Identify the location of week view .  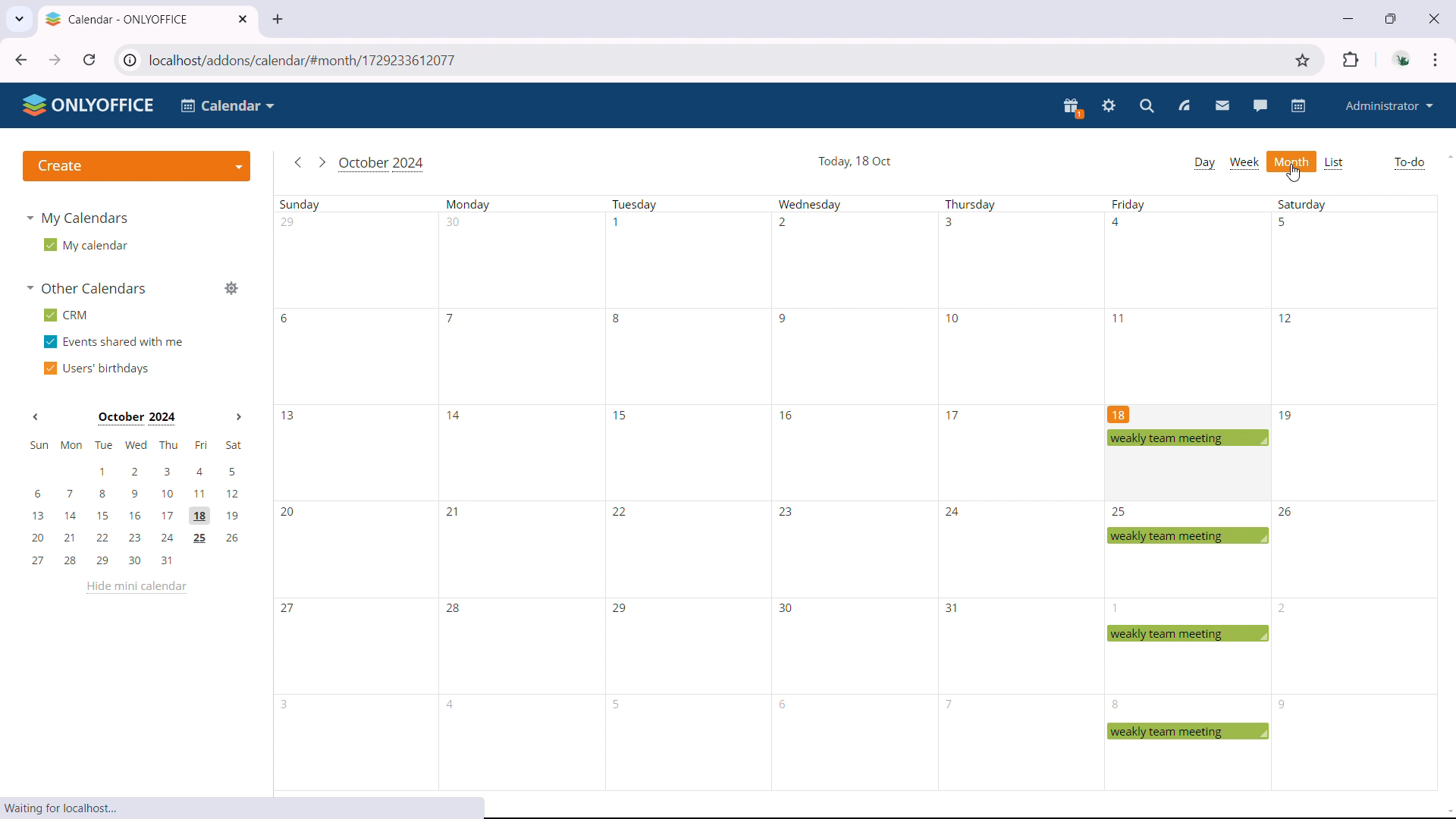
(1245, 162).